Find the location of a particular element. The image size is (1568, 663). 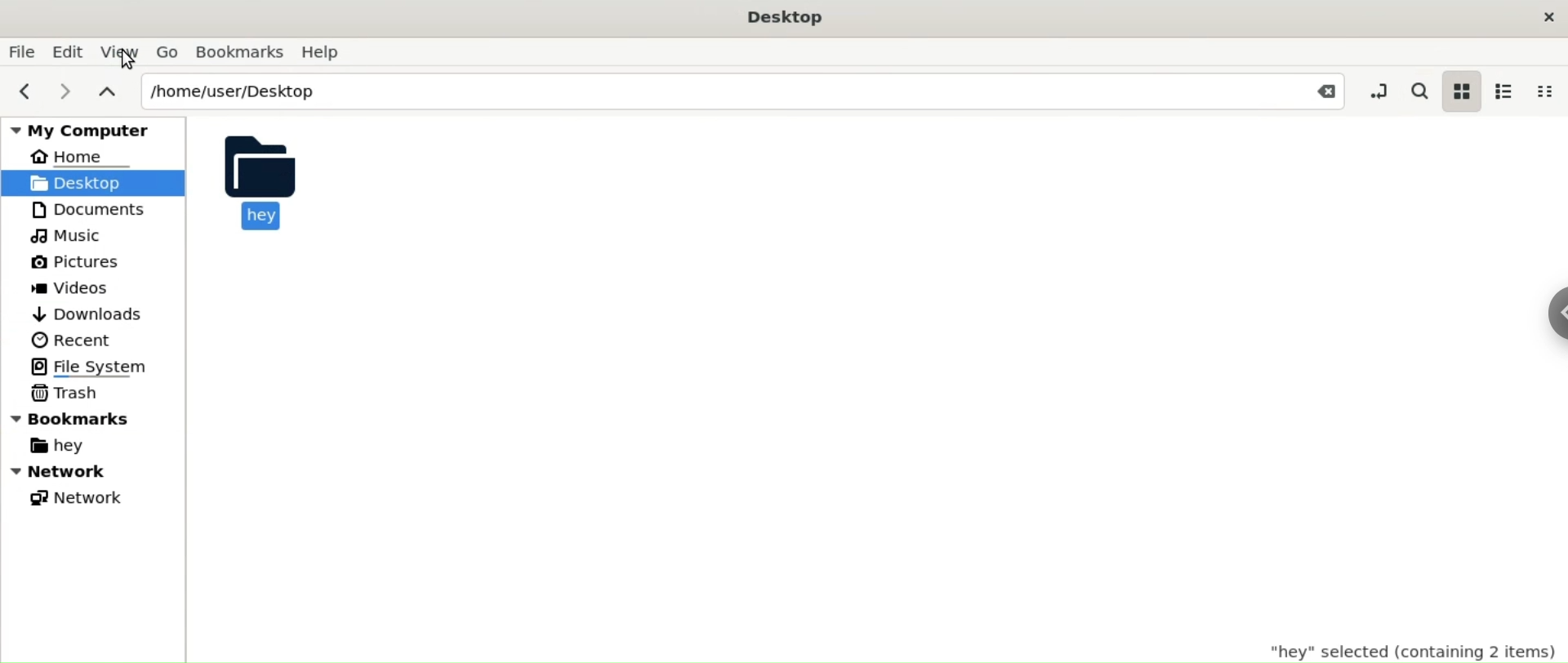

hey is located at coordinates (263, 180).